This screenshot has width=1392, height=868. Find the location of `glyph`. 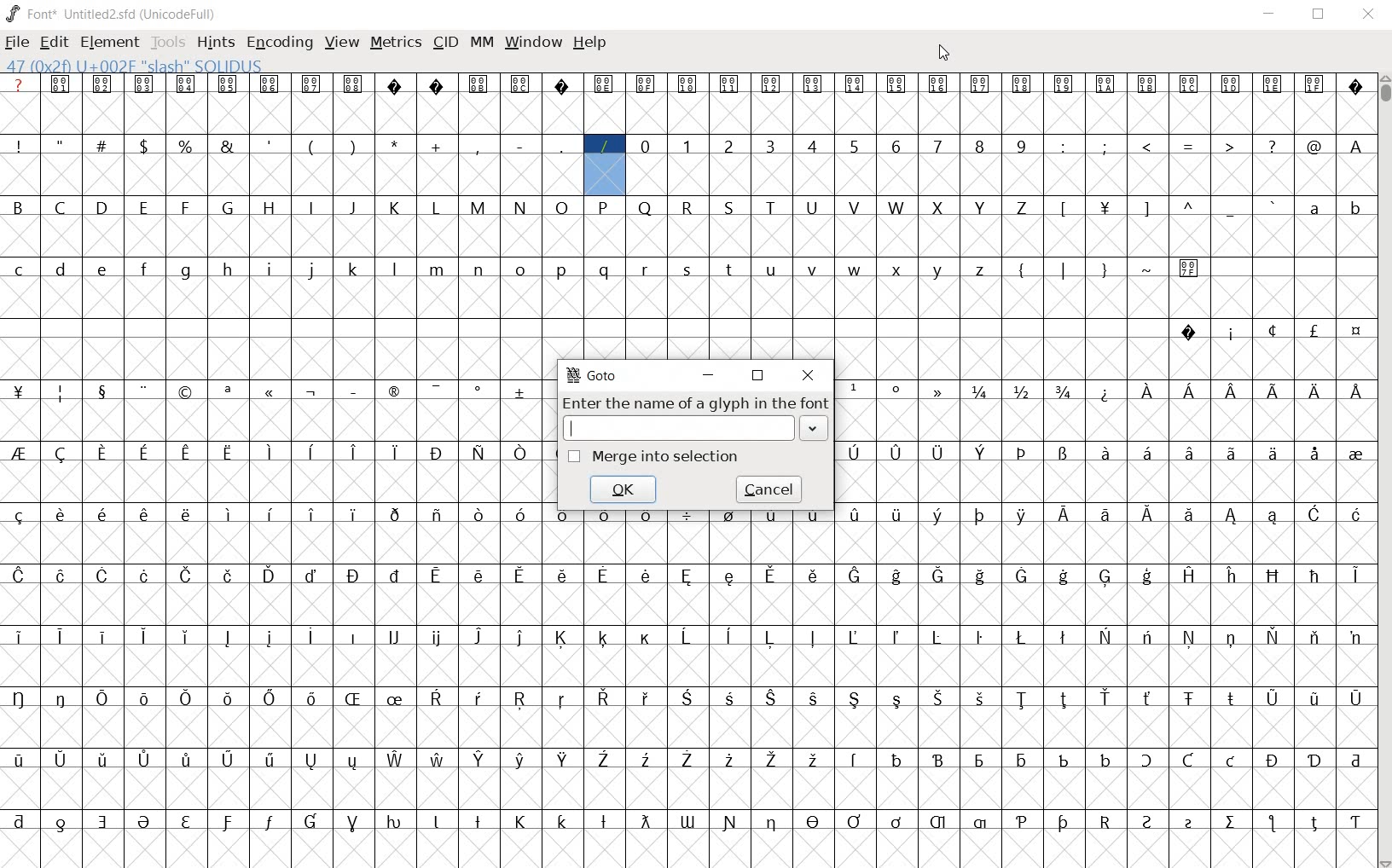

glyph is located at coordinates (813, 84).